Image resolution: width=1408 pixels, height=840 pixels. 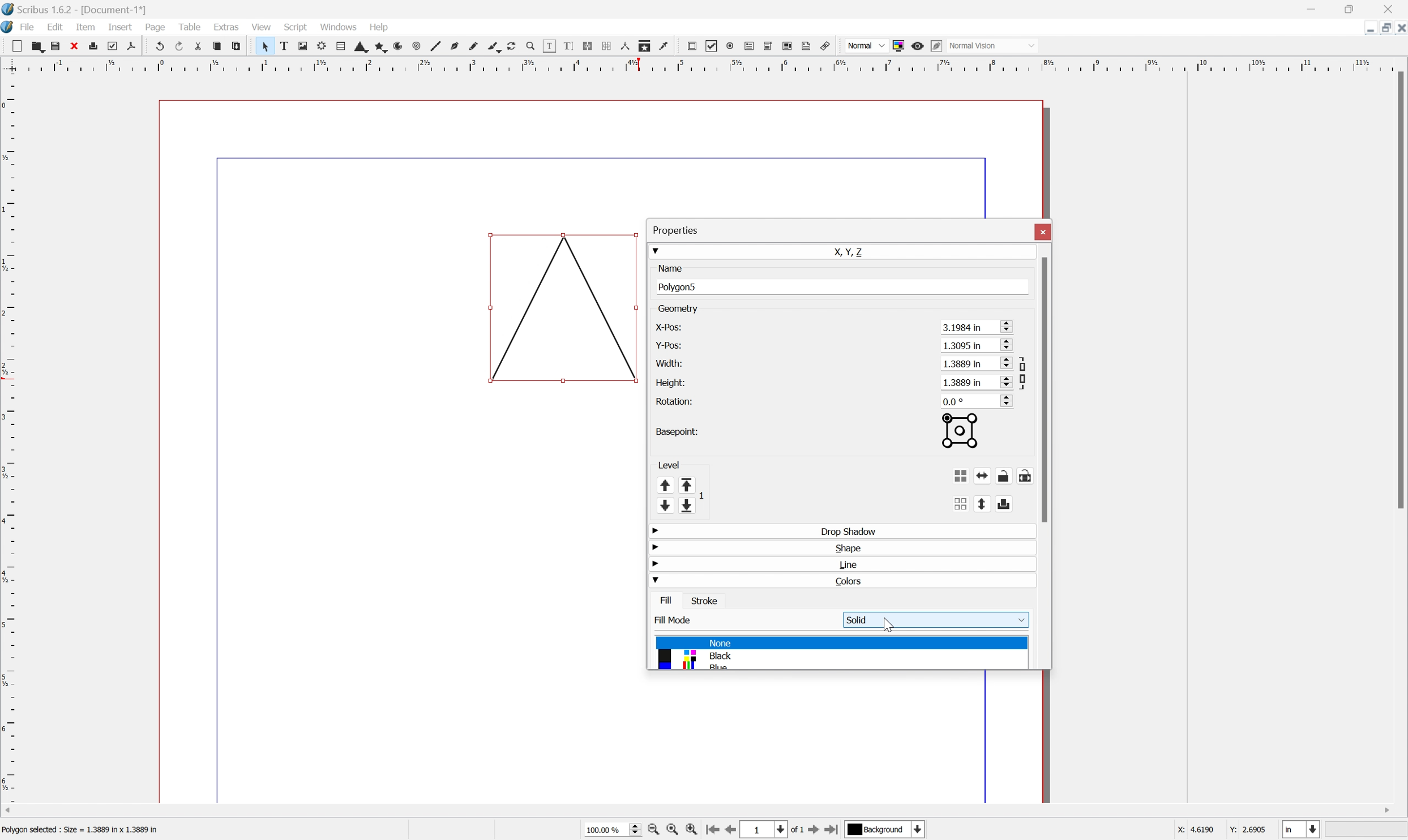 What do you see at coordinates (807, 46) in the screenshot?
I see `Text annotation` at bounding box center [807, 46].